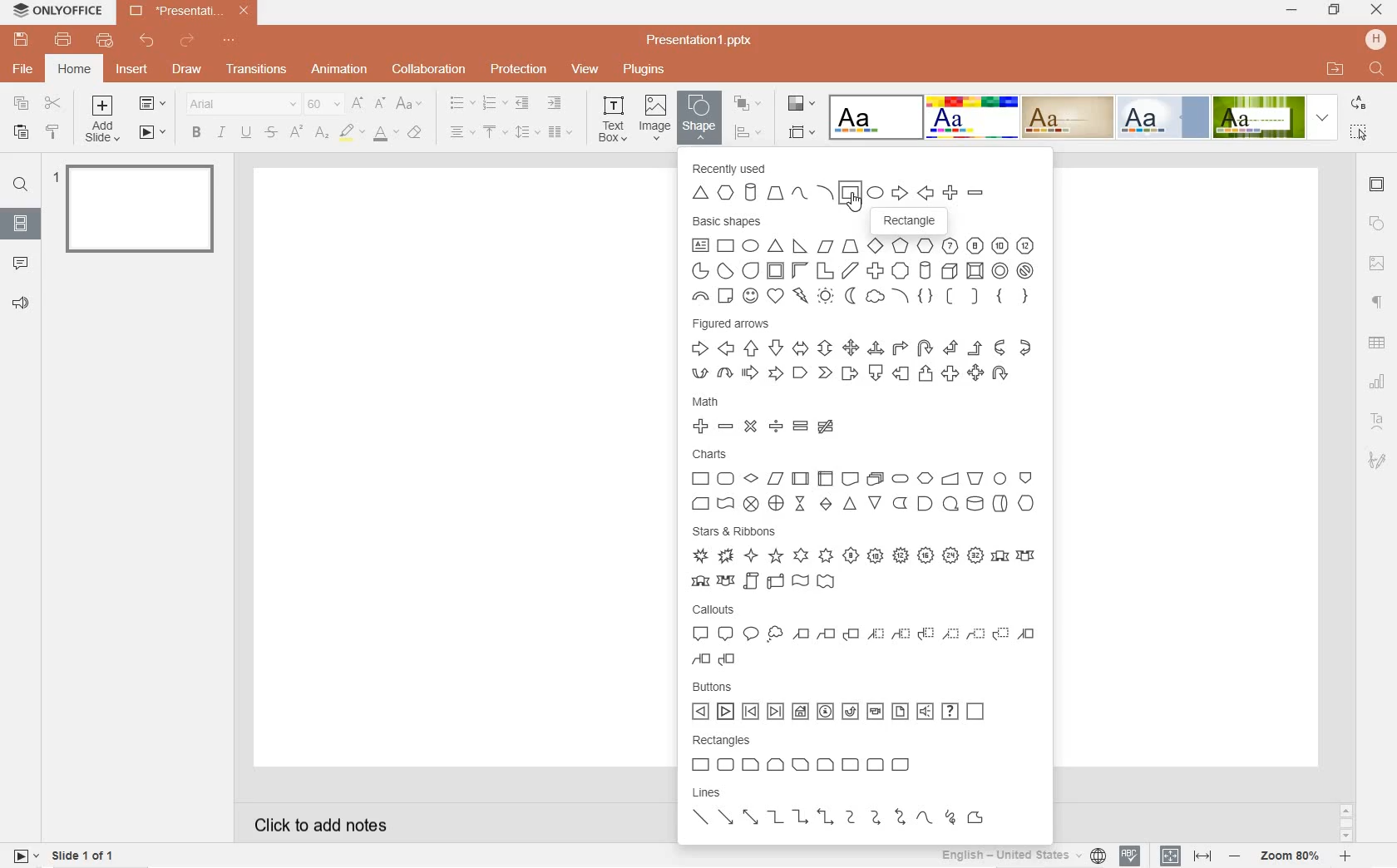 The height and width of the screenshot is (868, 1397). I want to click on Teardrop, so click(751, 270).